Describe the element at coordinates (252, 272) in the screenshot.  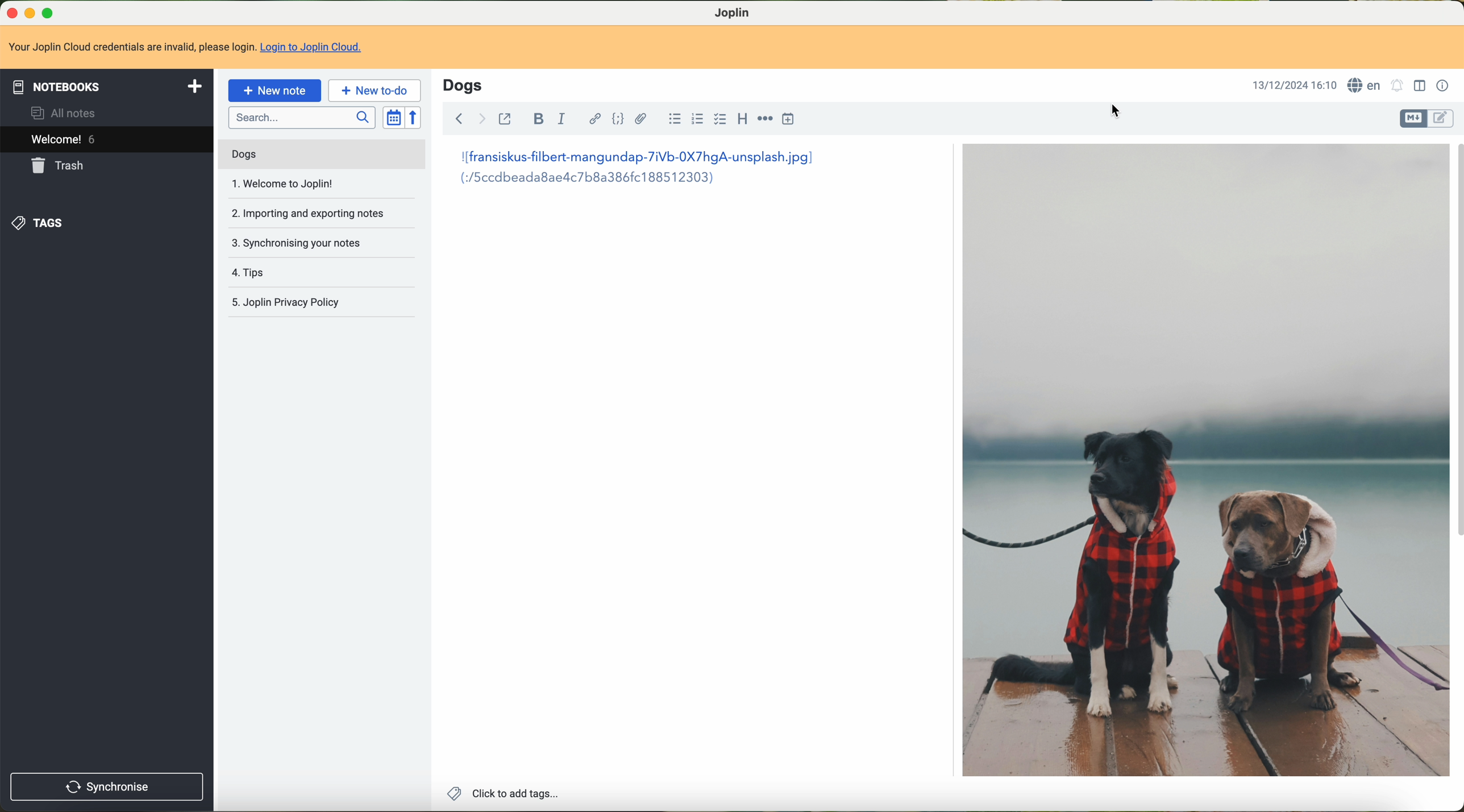
I see `tips note` at that location.